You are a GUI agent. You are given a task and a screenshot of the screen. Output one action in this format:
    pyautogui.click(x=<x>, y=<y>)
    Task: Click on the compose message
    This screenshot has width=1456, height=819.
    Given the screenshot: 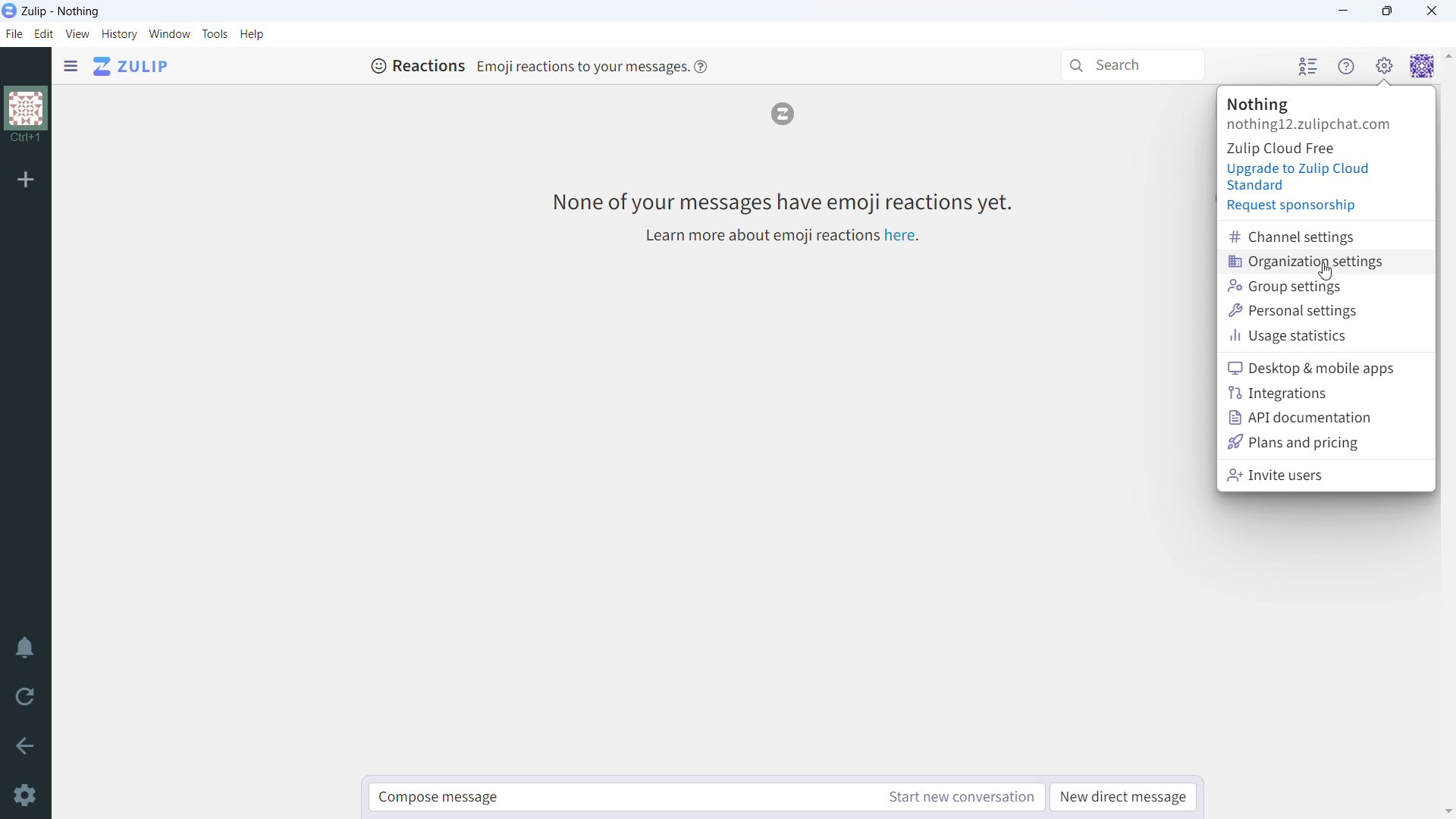 What is the action you would take?
    pyautogui.click(x=620, y=797)
    